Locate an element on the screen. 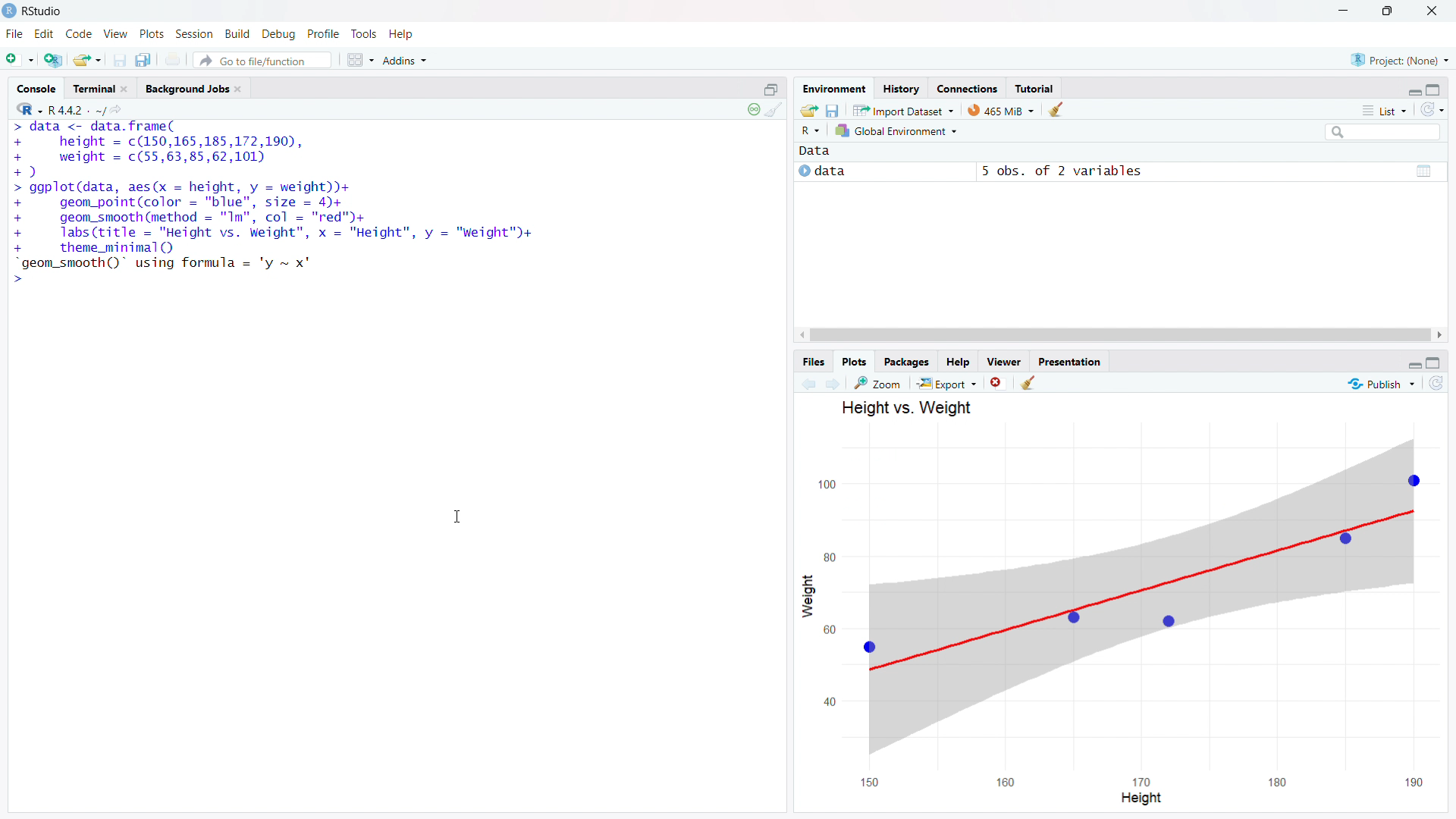  console is located at coordinates (36, 89).